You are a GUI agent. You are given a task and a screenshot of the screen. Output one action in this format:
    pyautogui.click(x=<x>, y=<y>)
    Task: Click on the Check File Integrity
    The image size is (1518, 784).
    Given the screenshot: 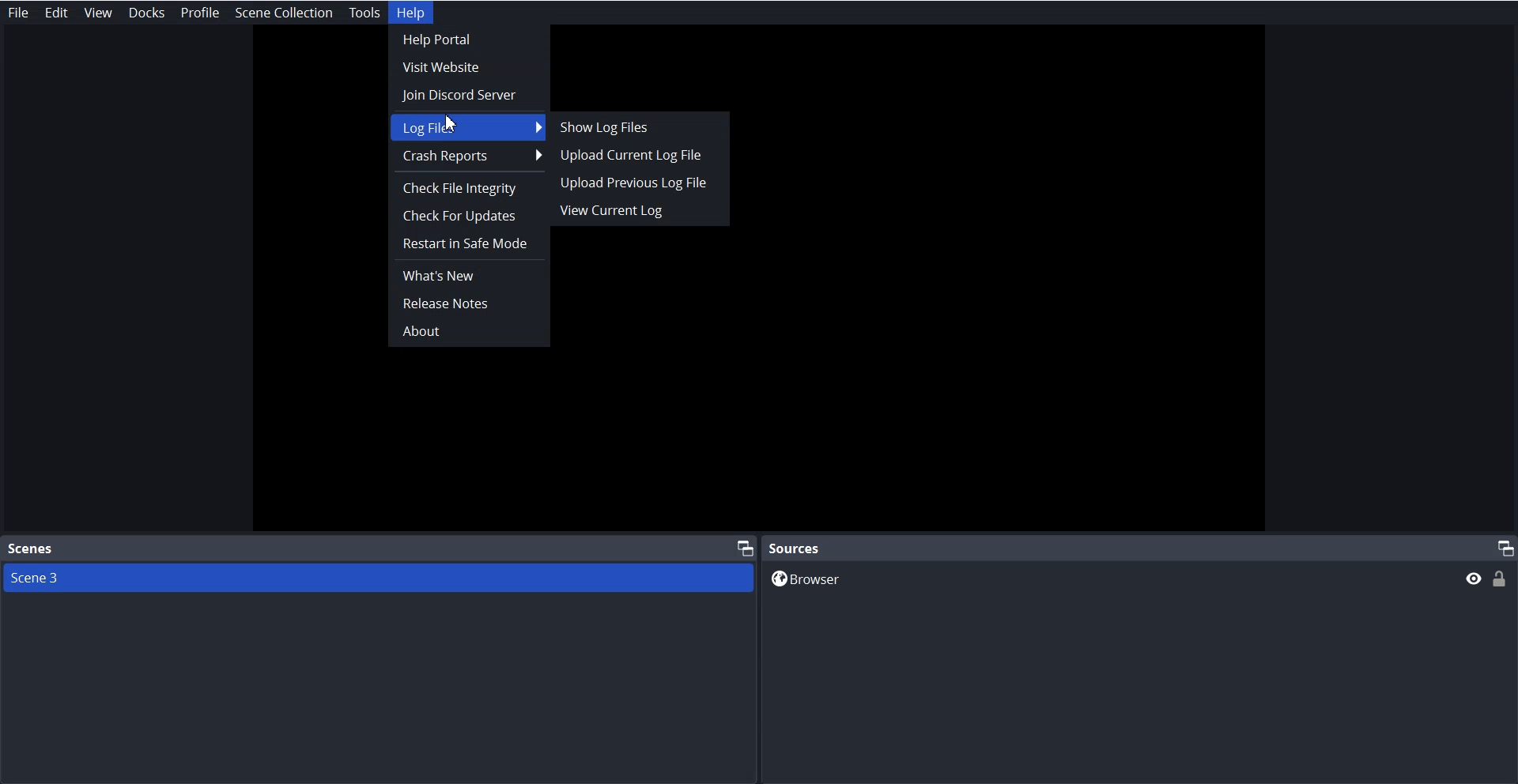 What is the action you would take?
    pyautogui.click(x=469, y=189)
    